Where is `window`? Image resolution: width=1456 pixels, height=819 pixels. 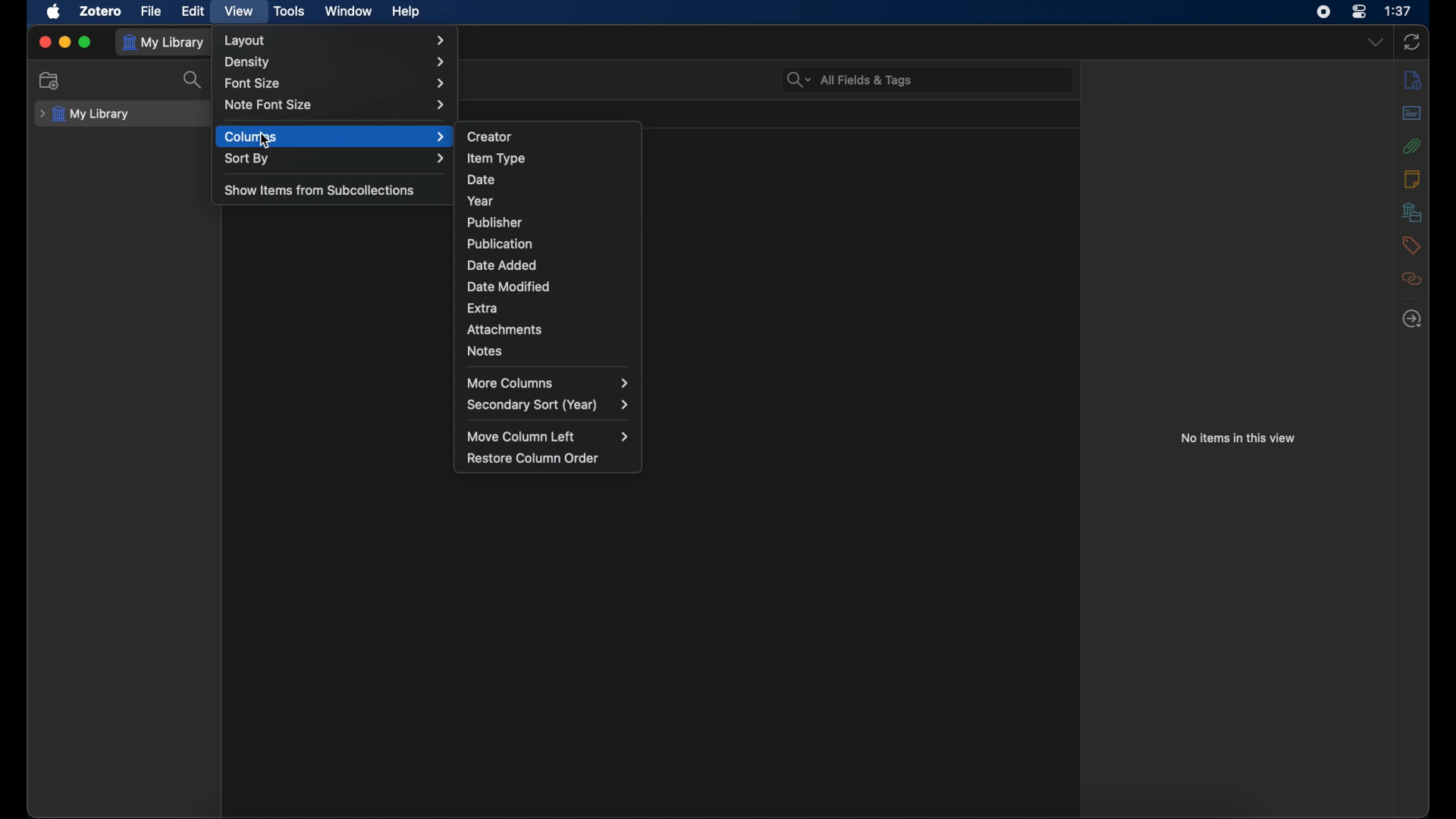 window is located at coordinates (348, 11).